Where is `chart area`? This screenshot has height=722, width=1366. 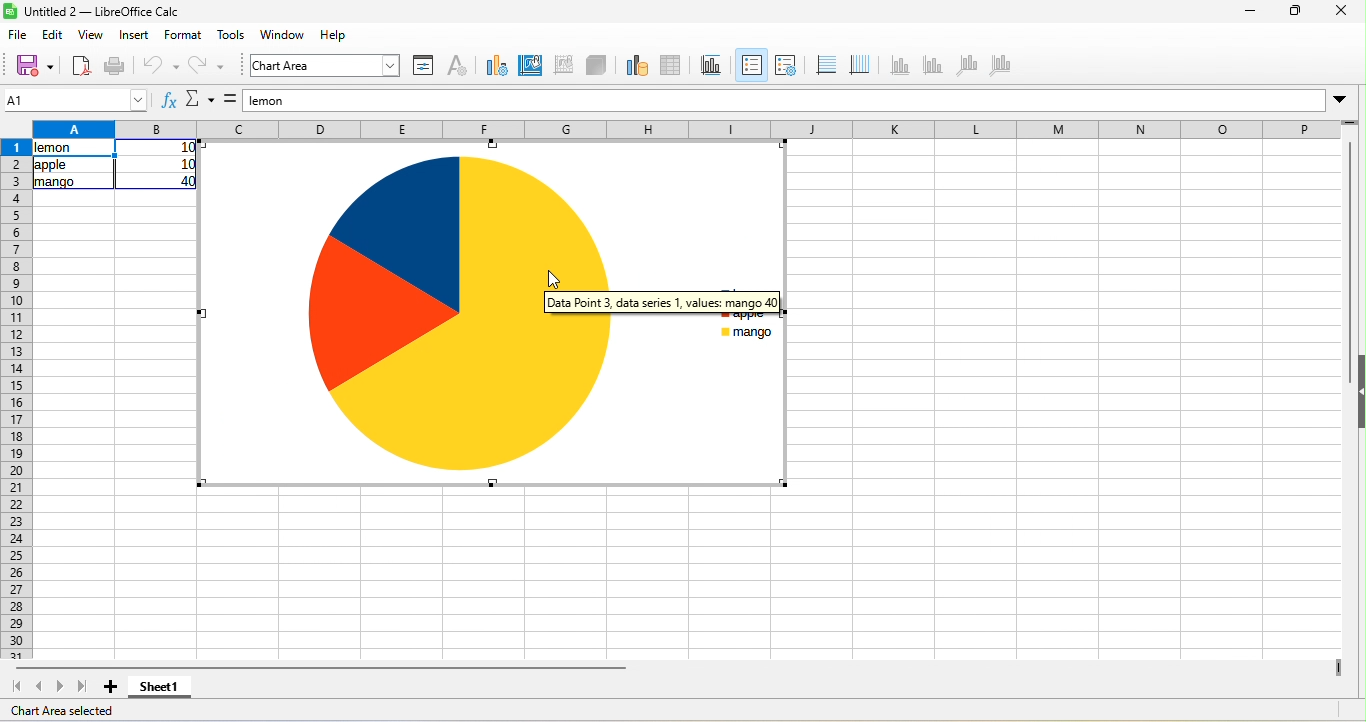 chart area is located at coordinates (325, 66).